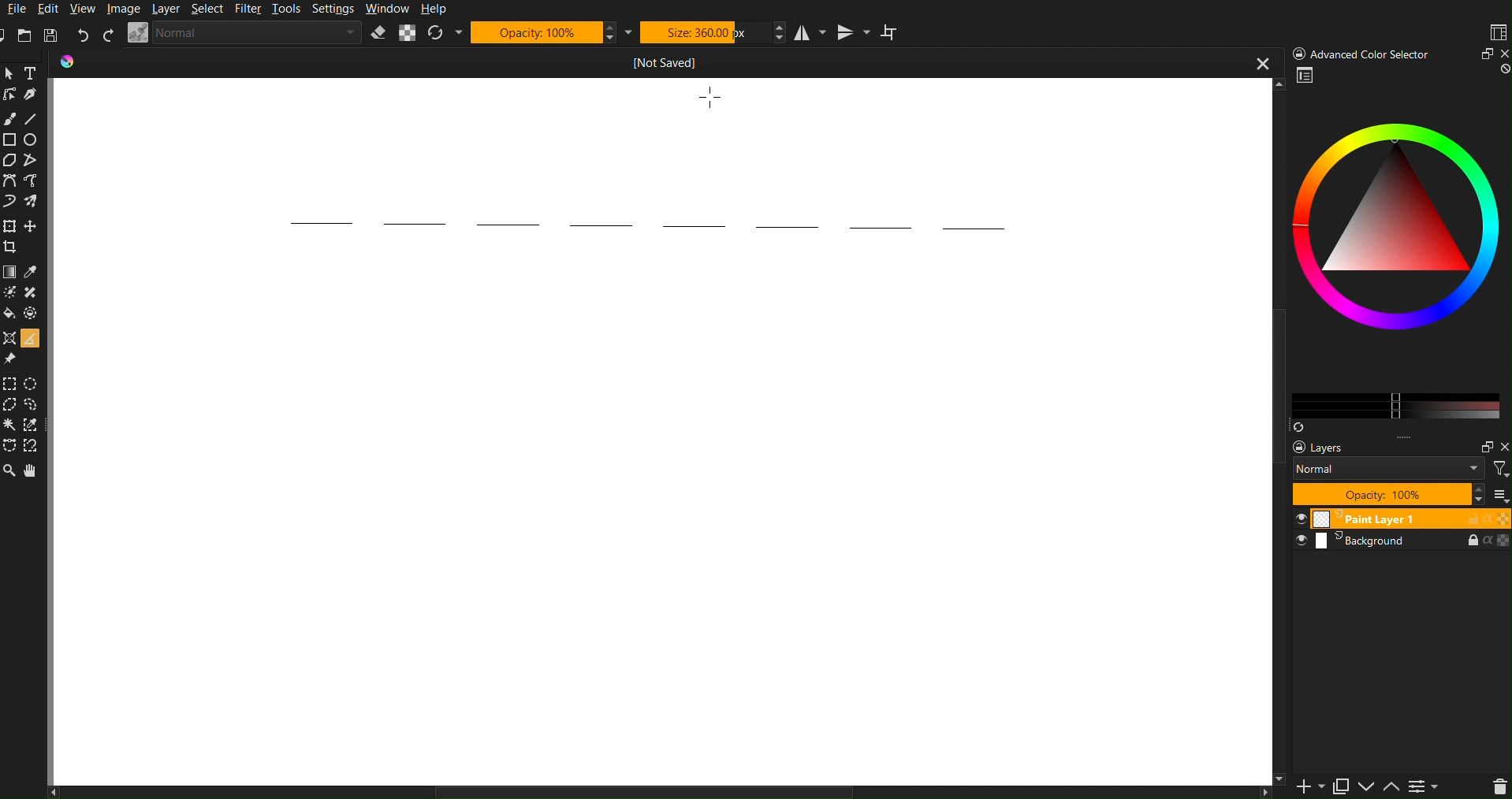  I want to click on Opacity, so click(553, 32).